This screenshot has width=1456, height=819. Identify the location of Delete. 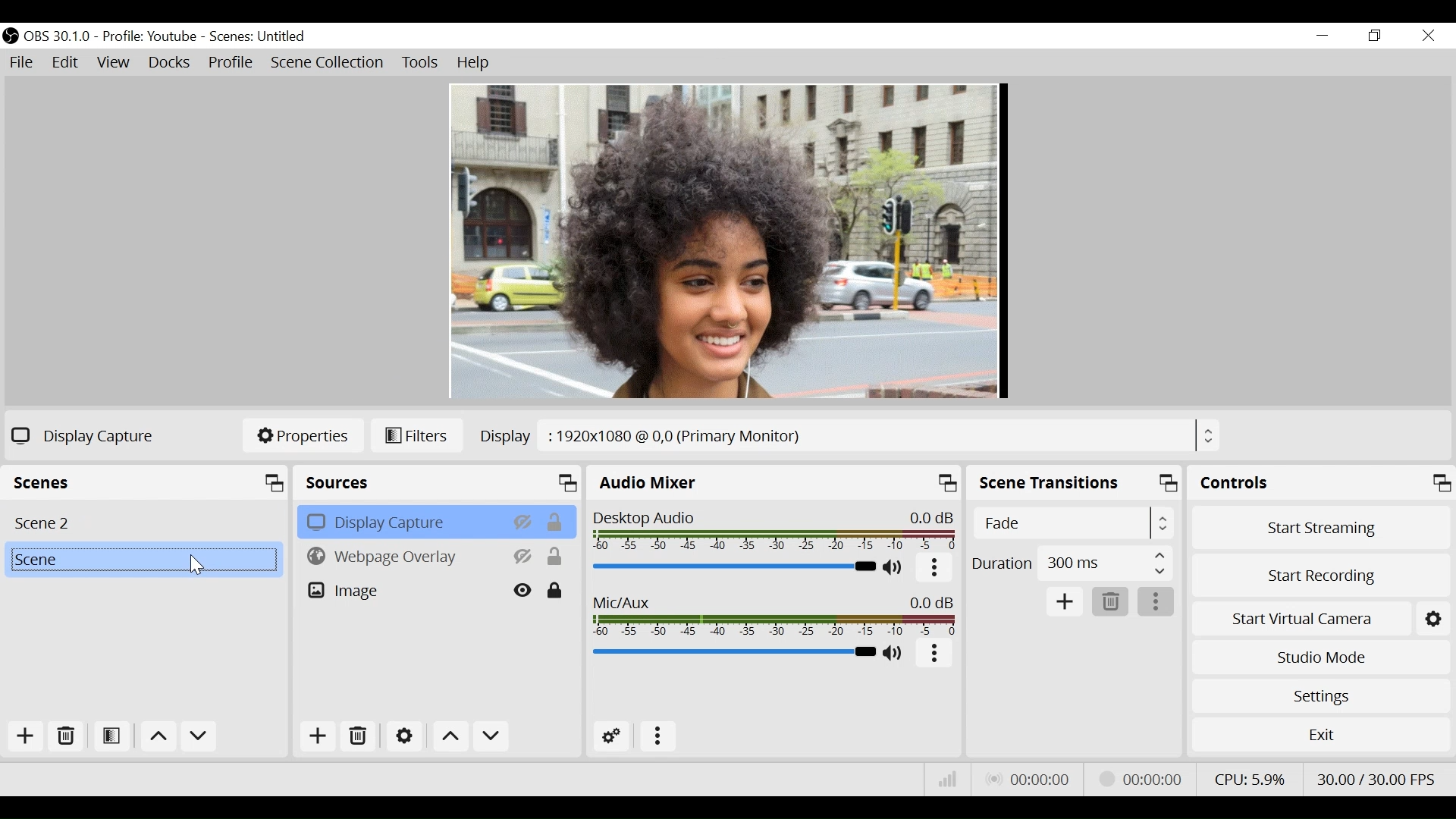
(67, 736).